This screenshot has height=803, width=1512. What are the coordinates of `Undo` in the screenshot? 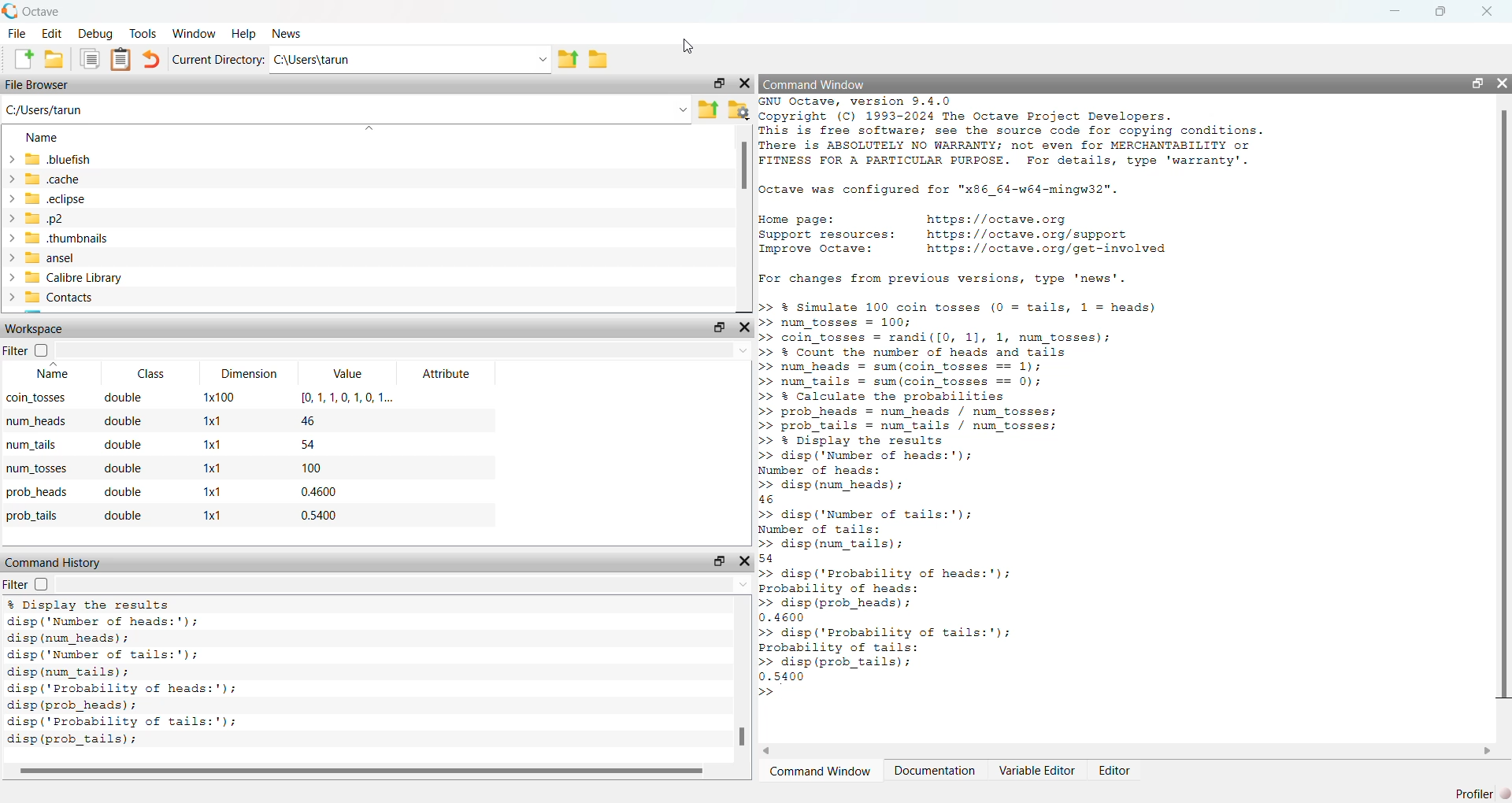 It's located at (150, 59).